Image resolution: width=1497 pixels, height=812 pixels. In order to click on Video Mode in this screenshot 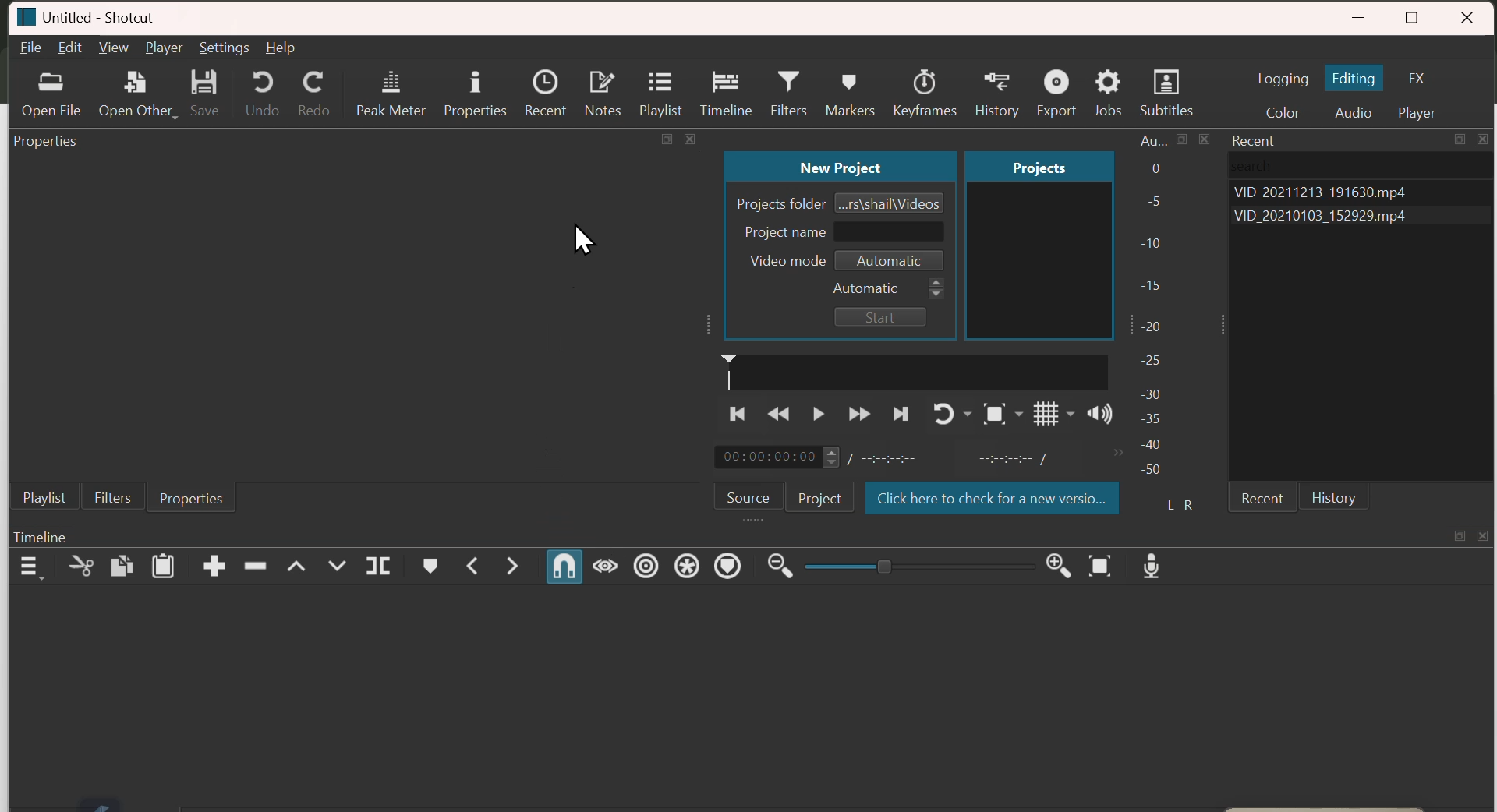, I will do `click(847, 260)`.